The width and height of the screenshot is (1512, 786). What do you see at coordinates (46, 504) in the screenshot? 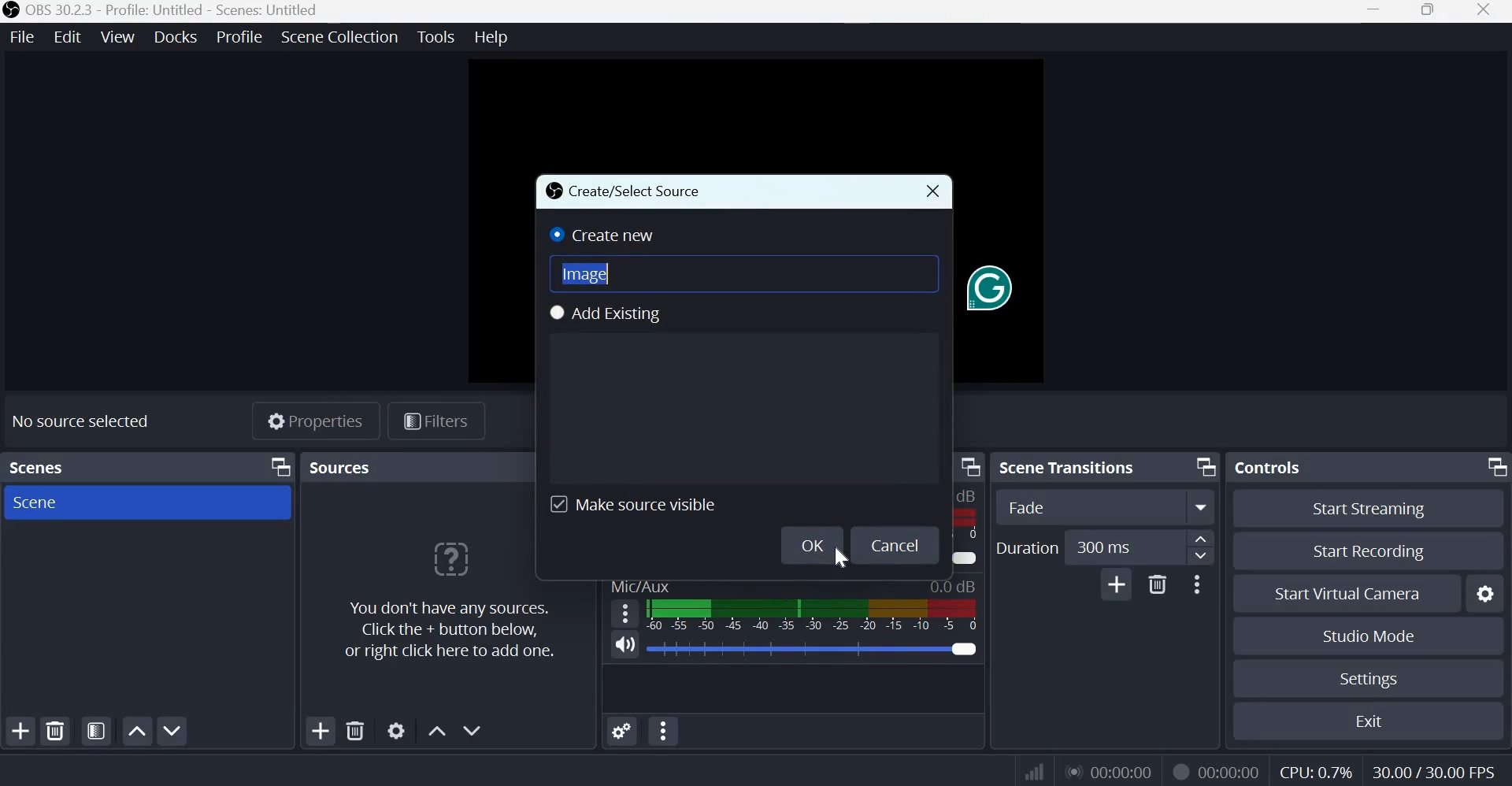
I see `Scene` at bounding box center [46, 504].